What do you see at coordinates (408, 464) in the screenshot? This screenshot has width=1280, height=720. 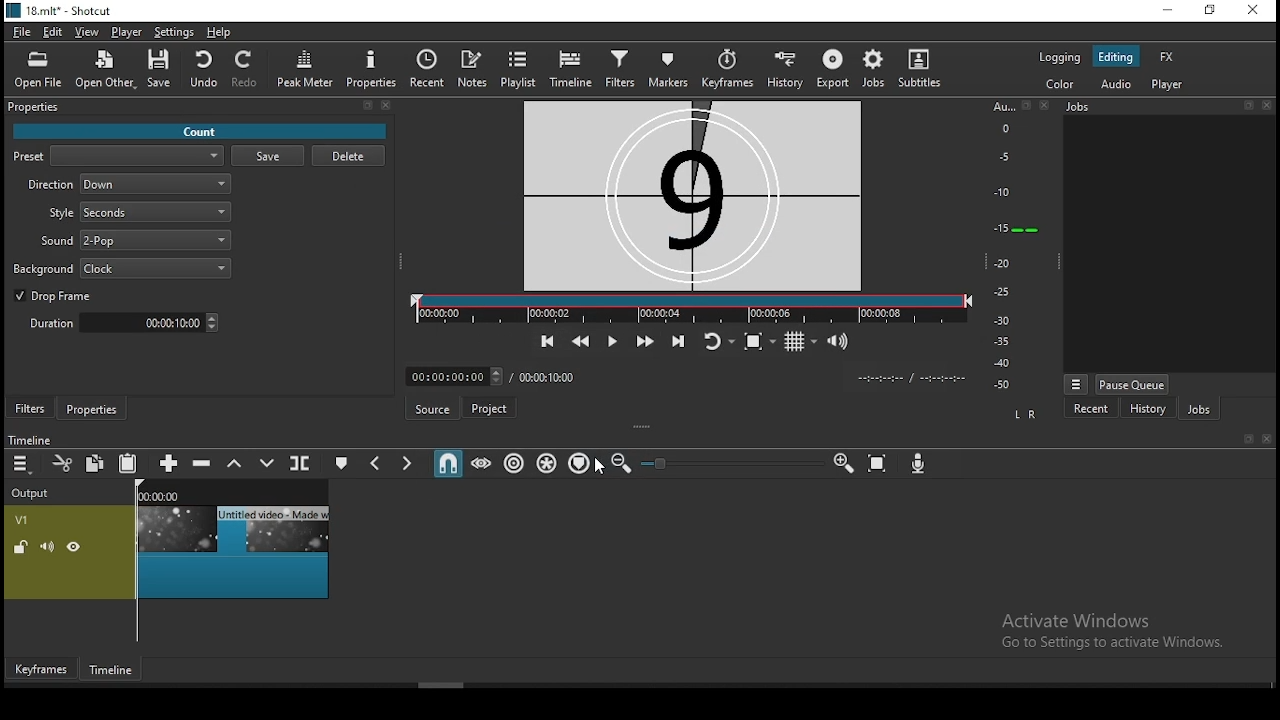 I see `next marker` at bounding box center [408, 464].